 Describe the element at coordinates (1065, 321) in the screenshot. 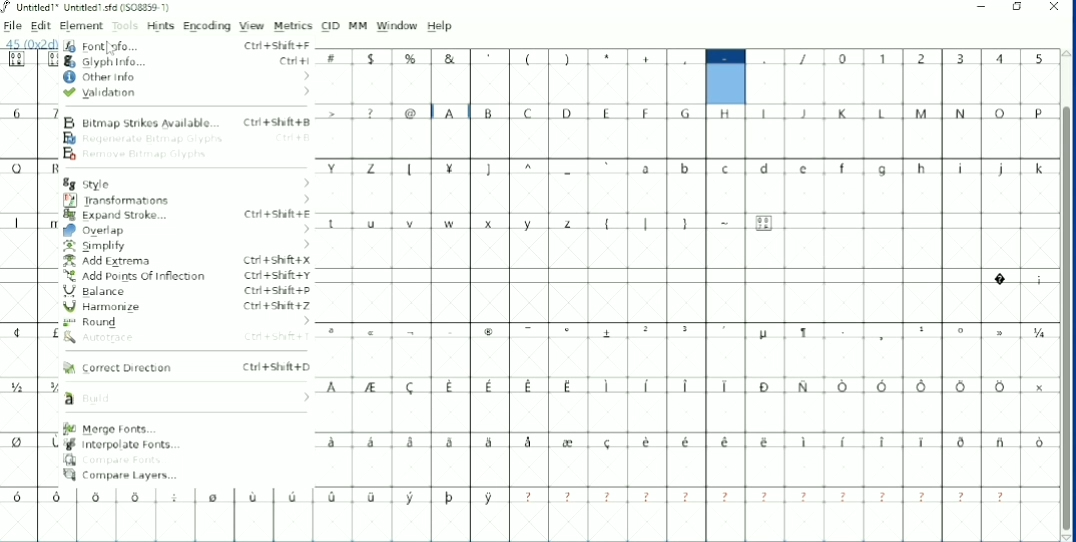

I see `Vertical scrollbar` at that location.